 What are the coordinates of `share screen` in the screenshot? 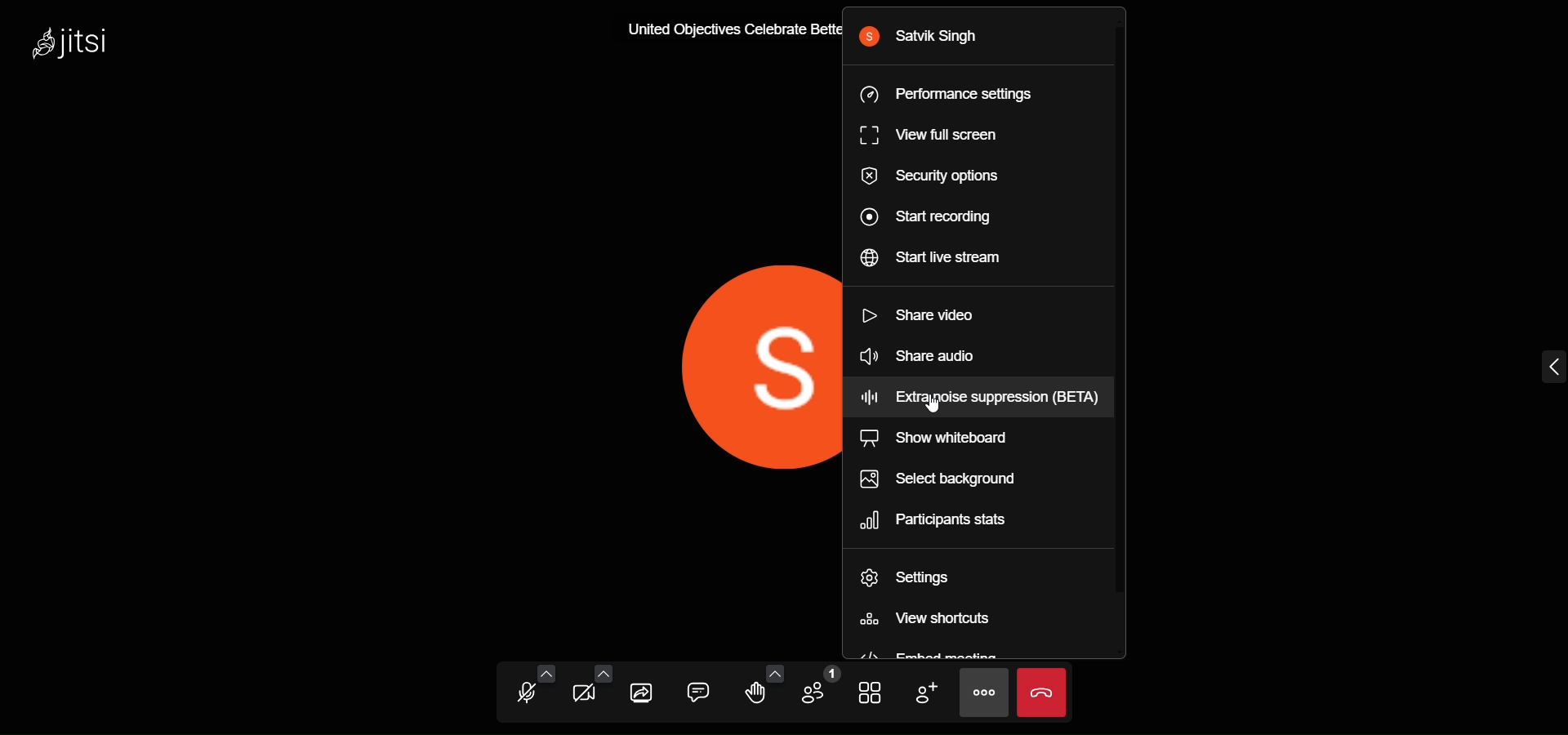 It's located at (643, 693).